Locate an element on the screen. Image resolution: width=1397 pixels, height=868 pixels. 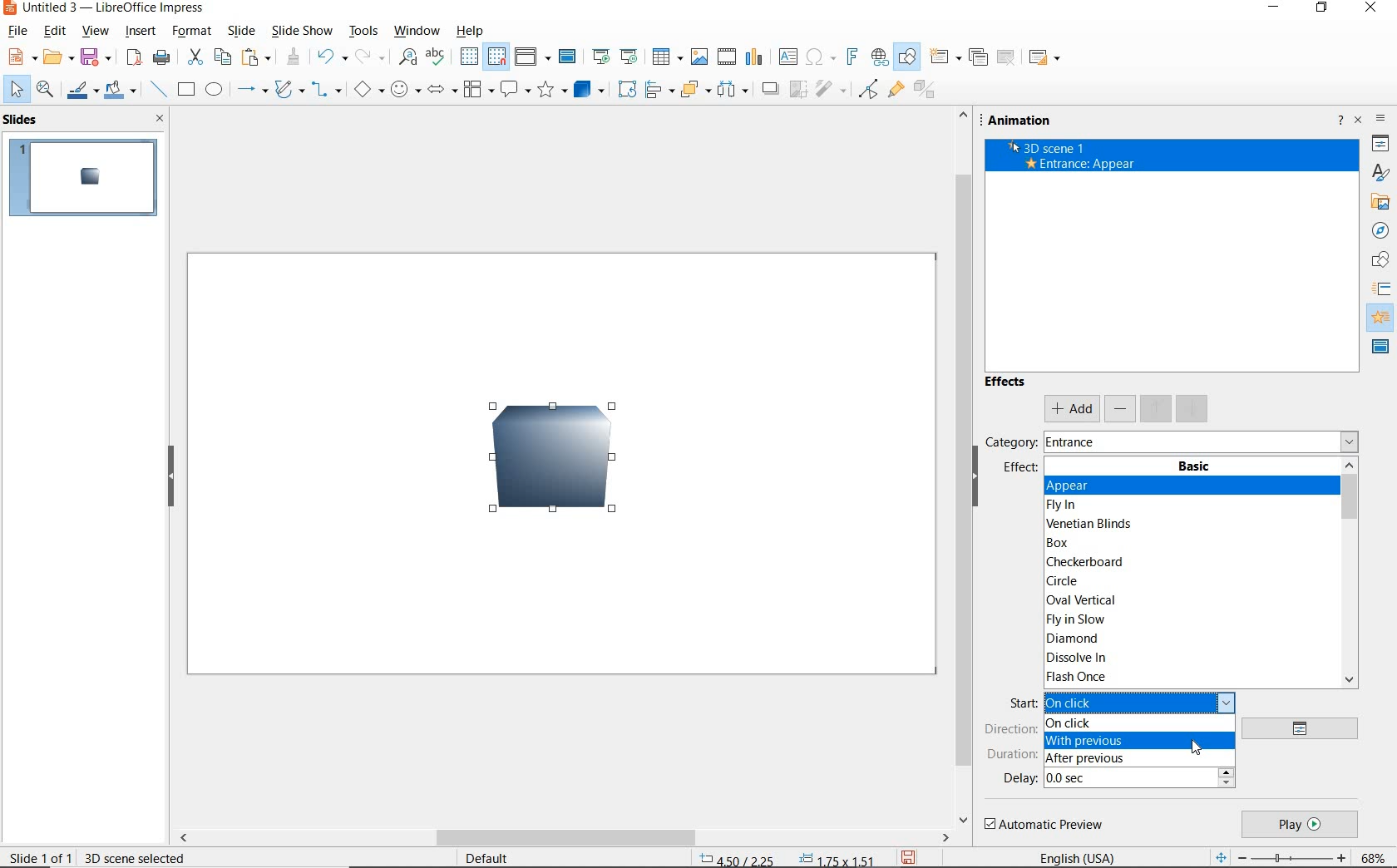
insert fontwork text is located at coordinates (851, 57).